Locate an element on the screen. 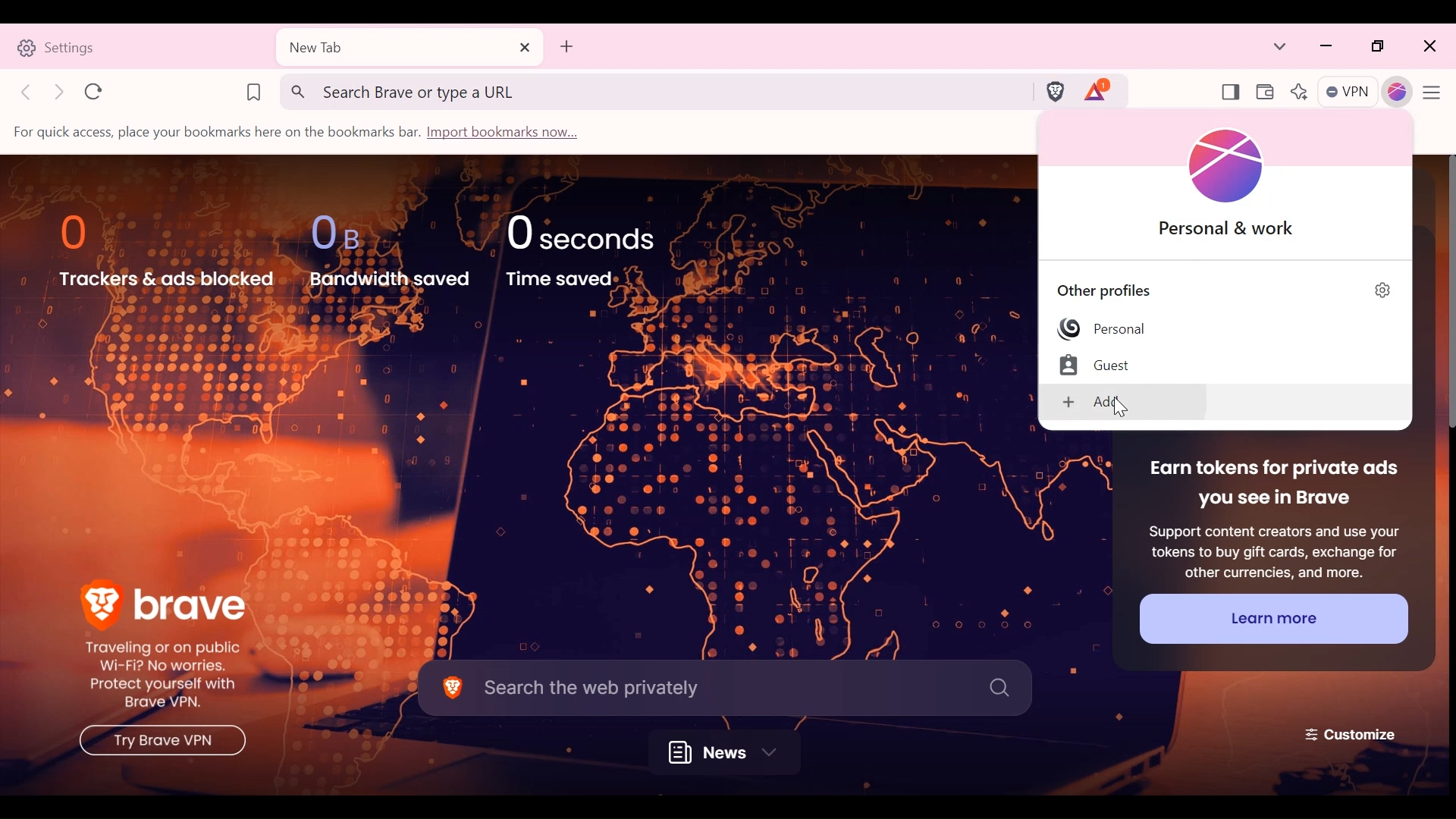 The width and height of the screenshot is (1456, 819). Restore is located at coordinates (1379, 47).